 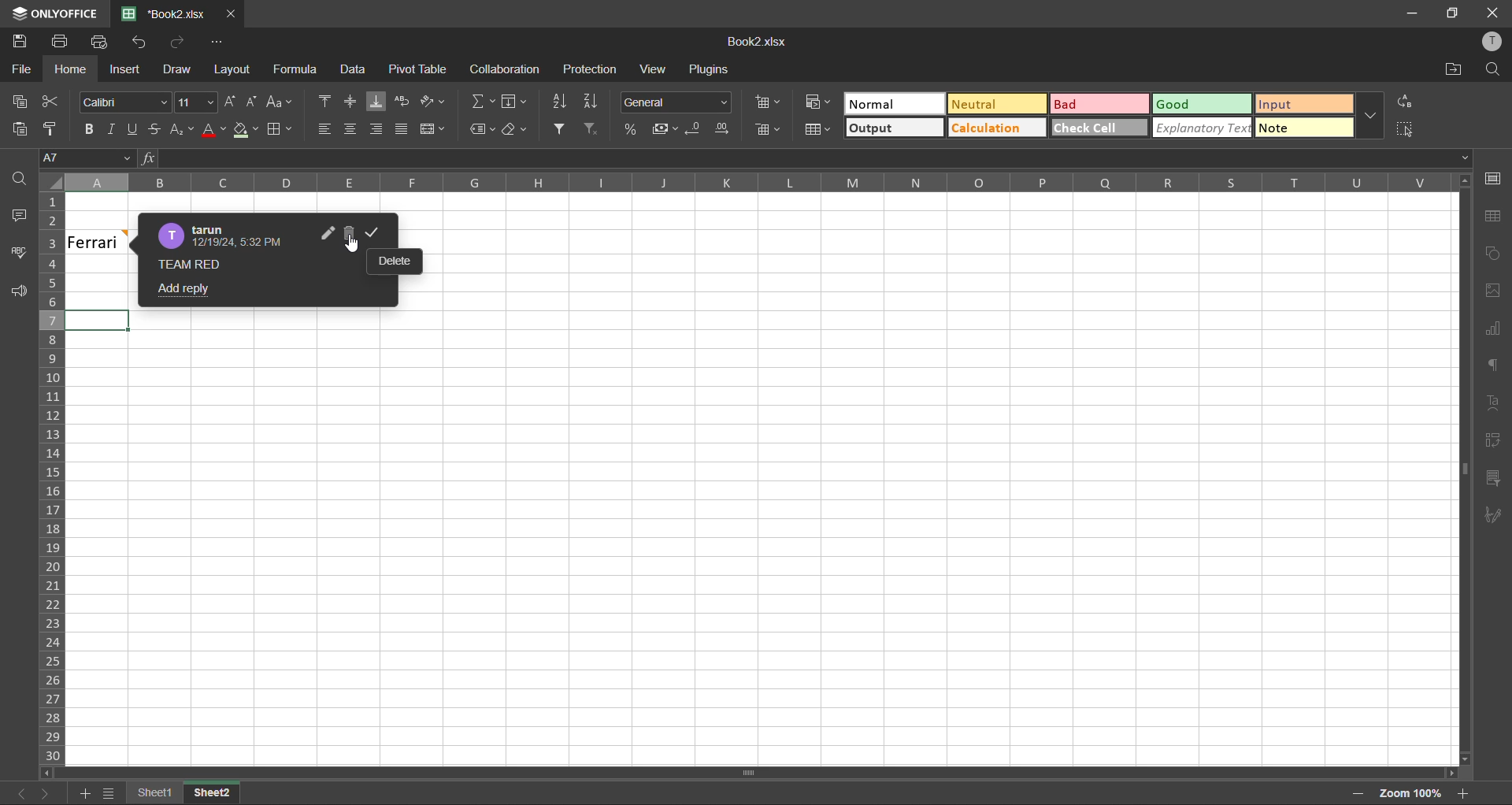 What do you see at coordinates (53, 101) in the screenshot?
I see `cut` at bounding box center [53, 101].